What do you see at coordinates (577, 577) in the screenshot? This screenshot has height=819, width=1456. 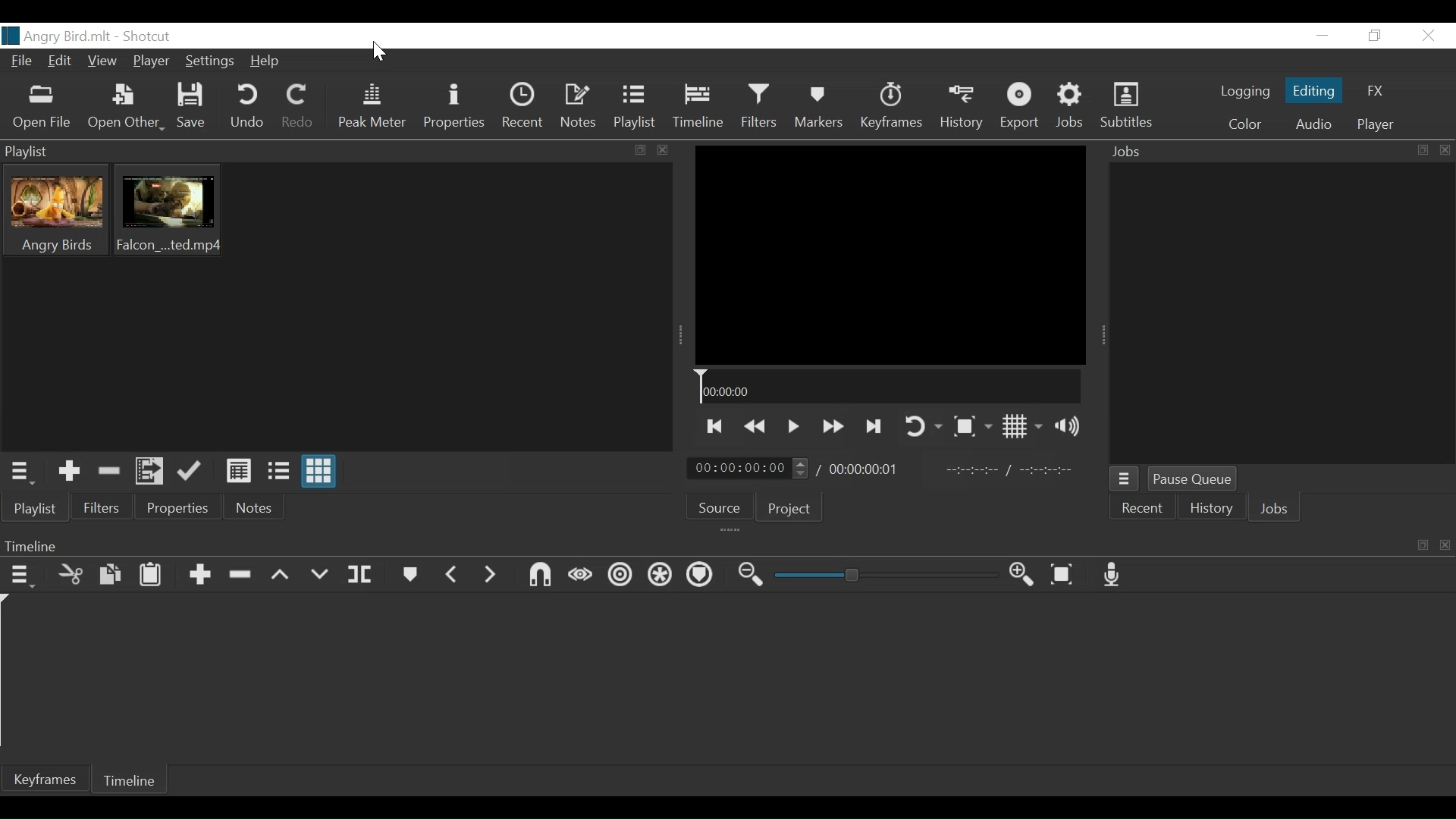 I see `Scrub while dragging` at bounding box center [577, 577].